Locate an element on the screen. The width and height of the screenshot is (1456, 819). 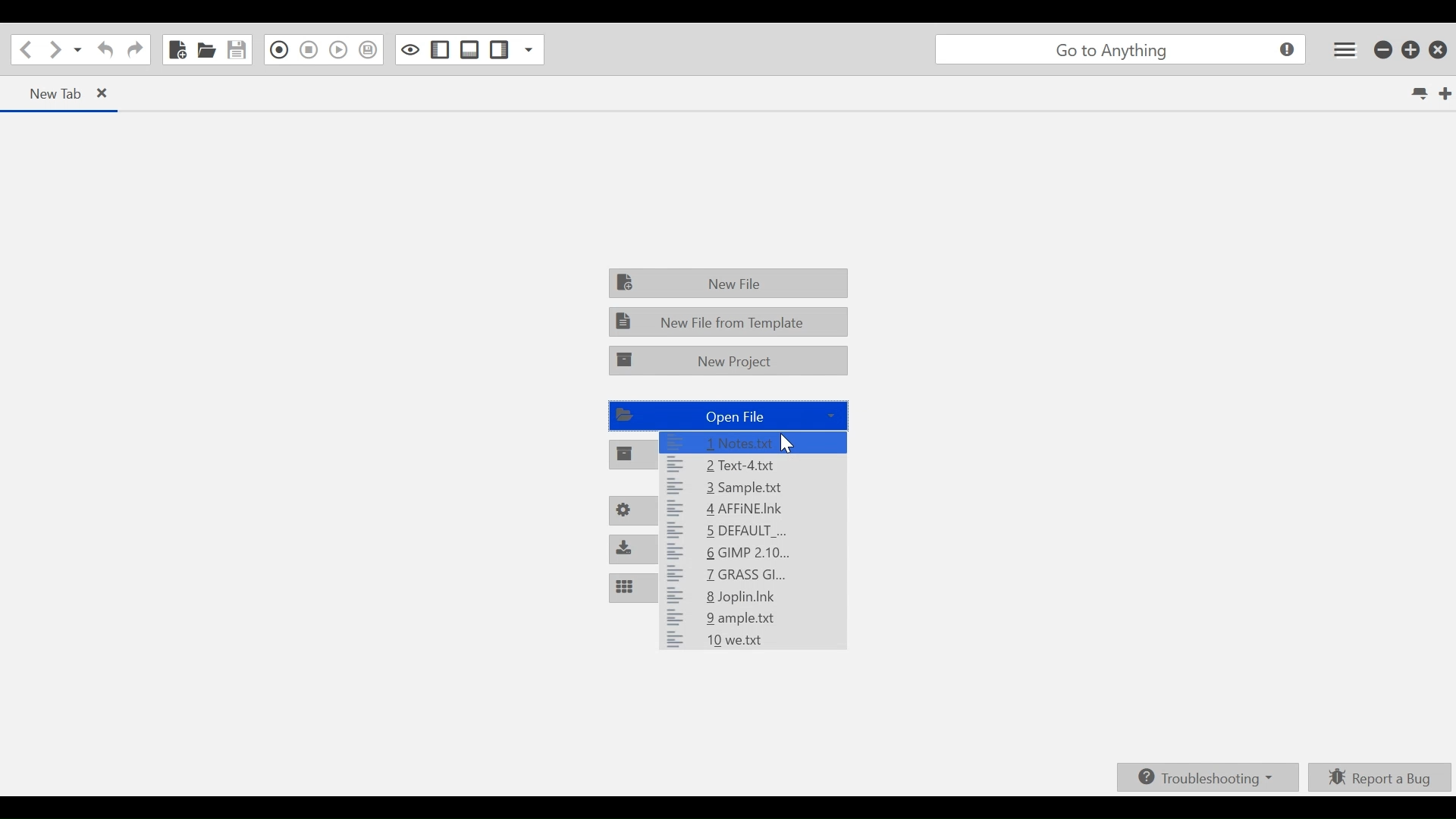
Show/ide Bottom Sidebar is located at coordinates (471, 50).